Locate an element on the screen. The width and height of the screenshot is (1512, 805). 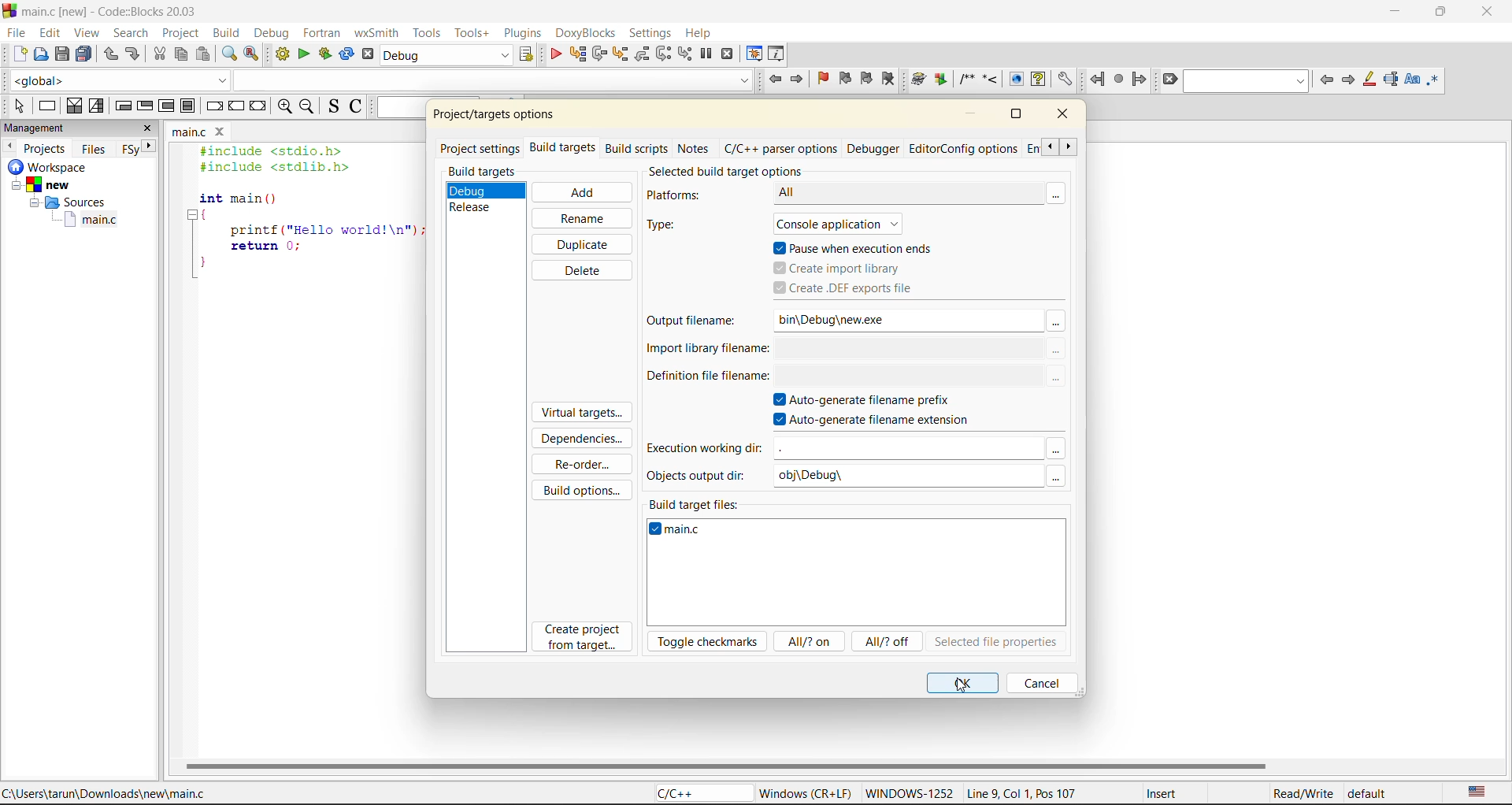
clear is located at coordinates (1171, 80).